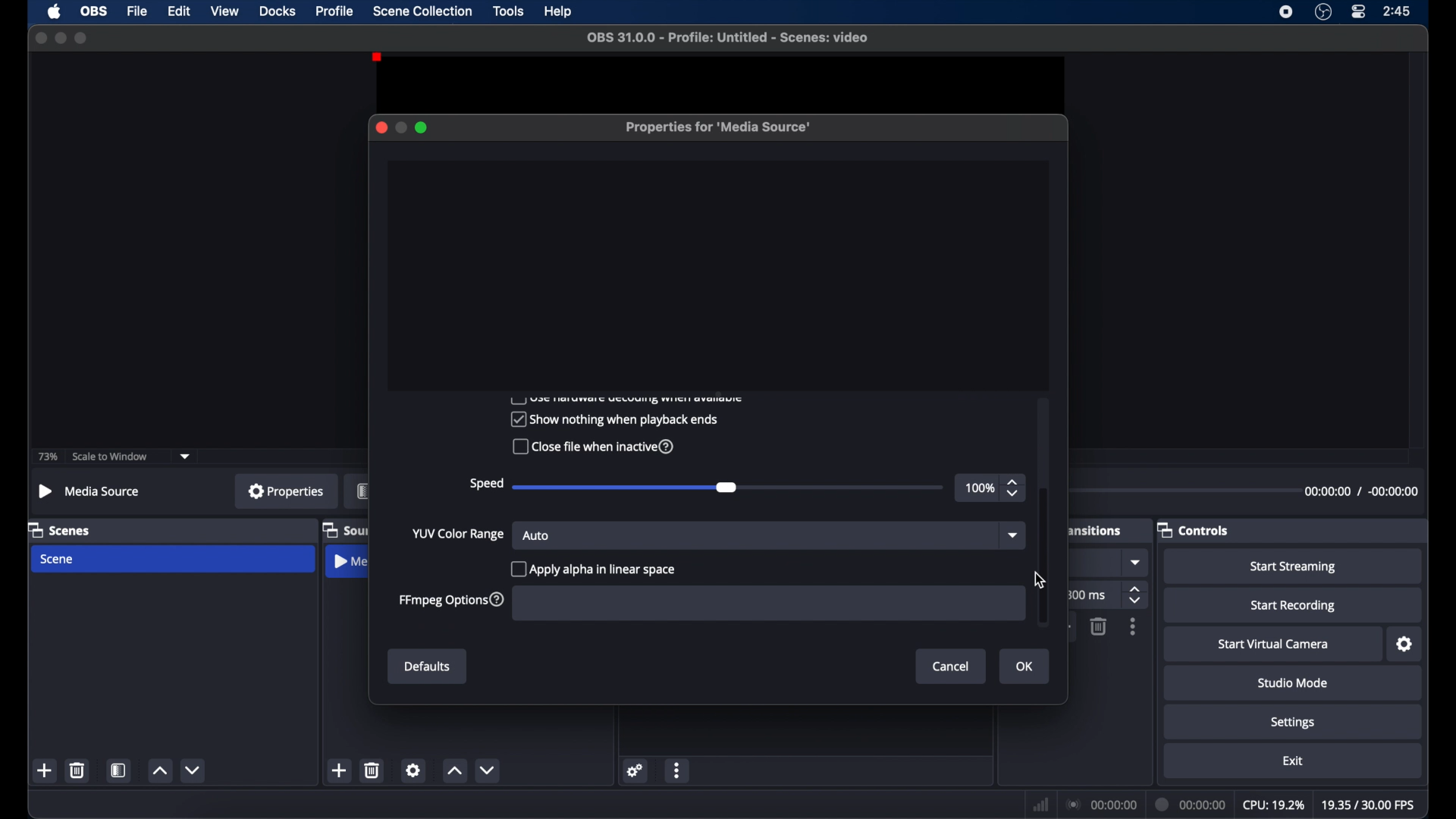  What do you see at coordinates (340, 770) in the screenshot?
I see `add` at bounding box center [340, 770].